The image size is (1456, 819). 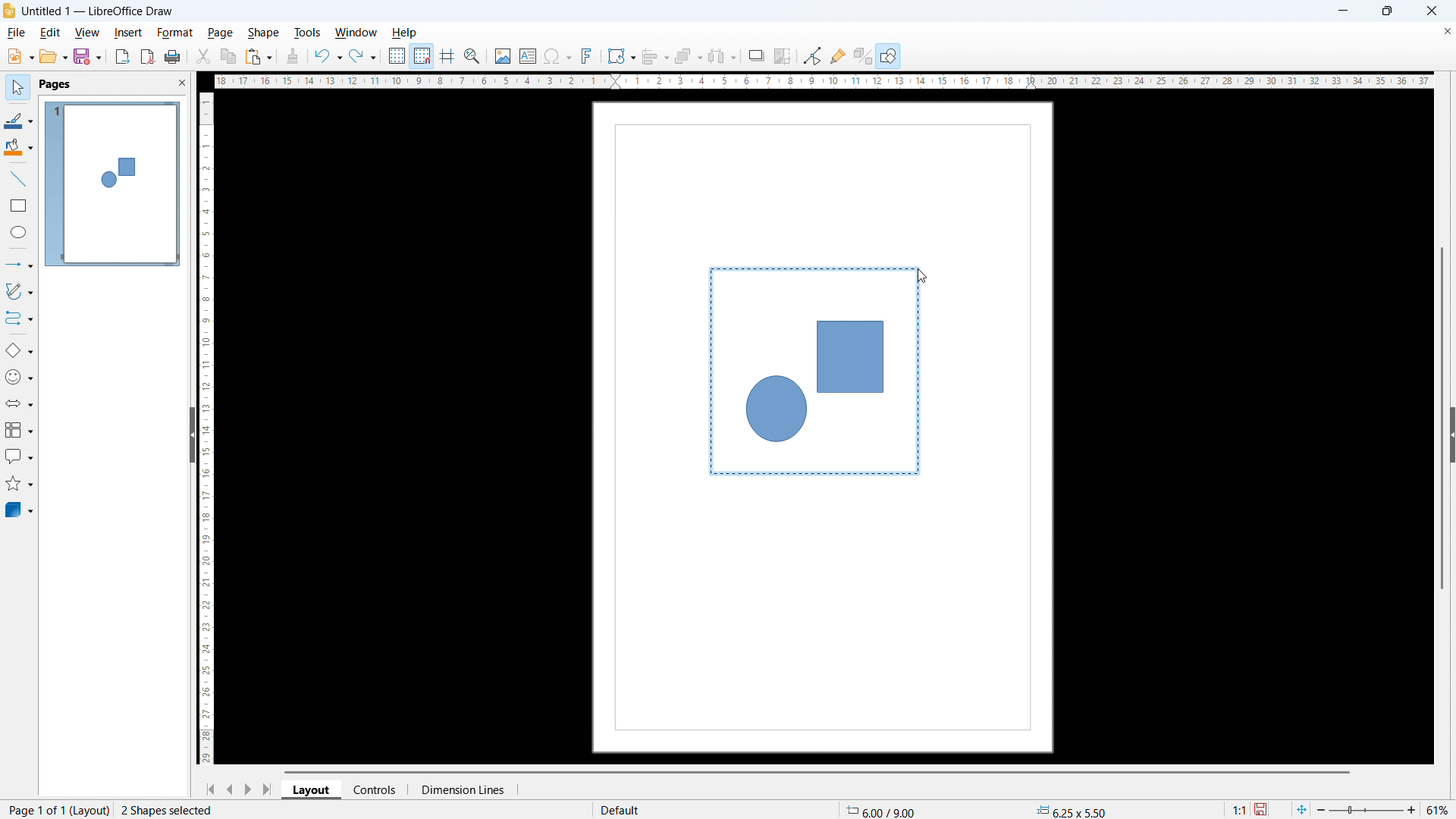 I want to click on format, so click(x=175, y=33).